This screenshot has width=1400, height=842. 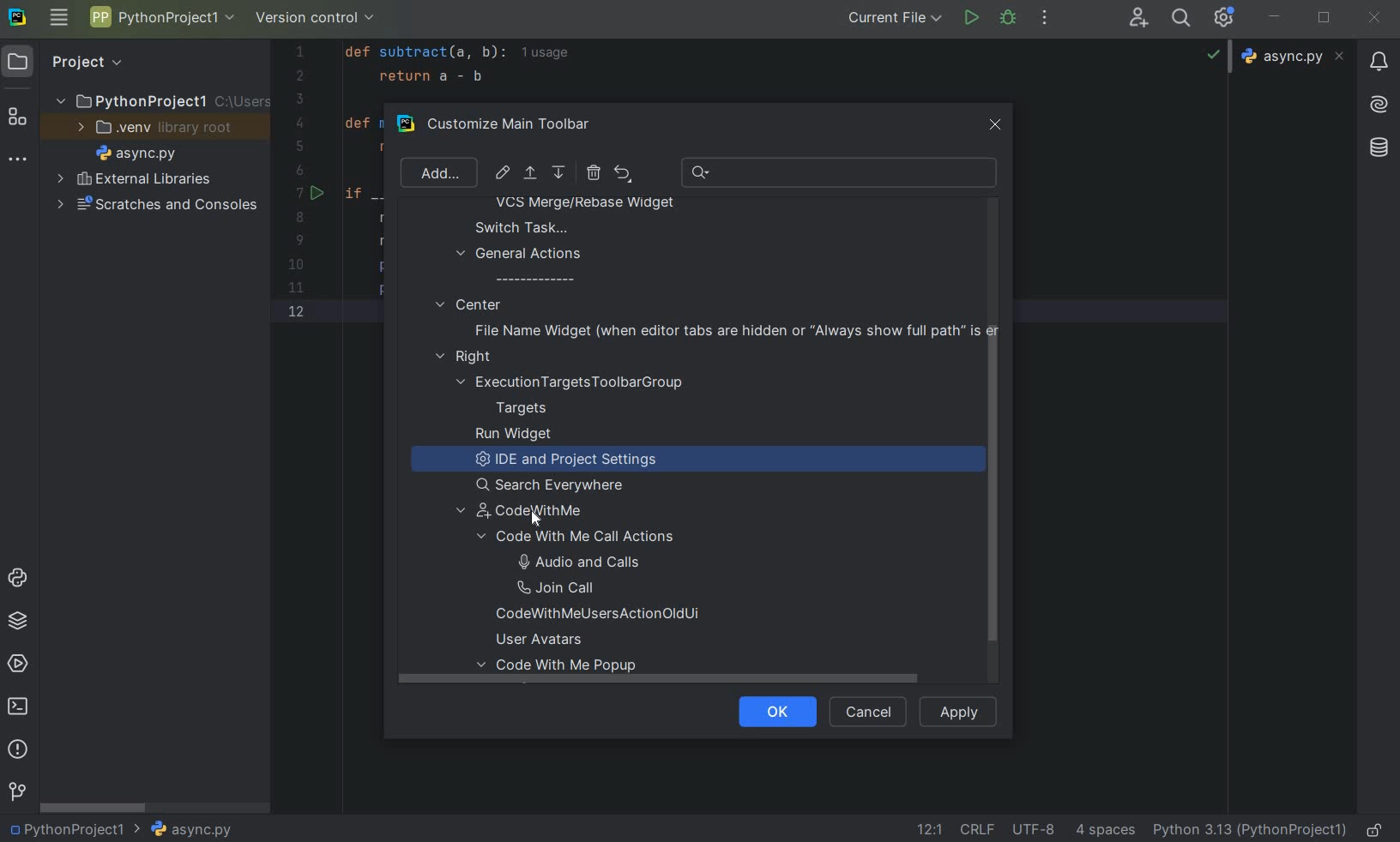 What do you see at coordinates (1046, 18) in the screenshot?
I see `MORE ACTIONS` at bounding box center [1046, 18].